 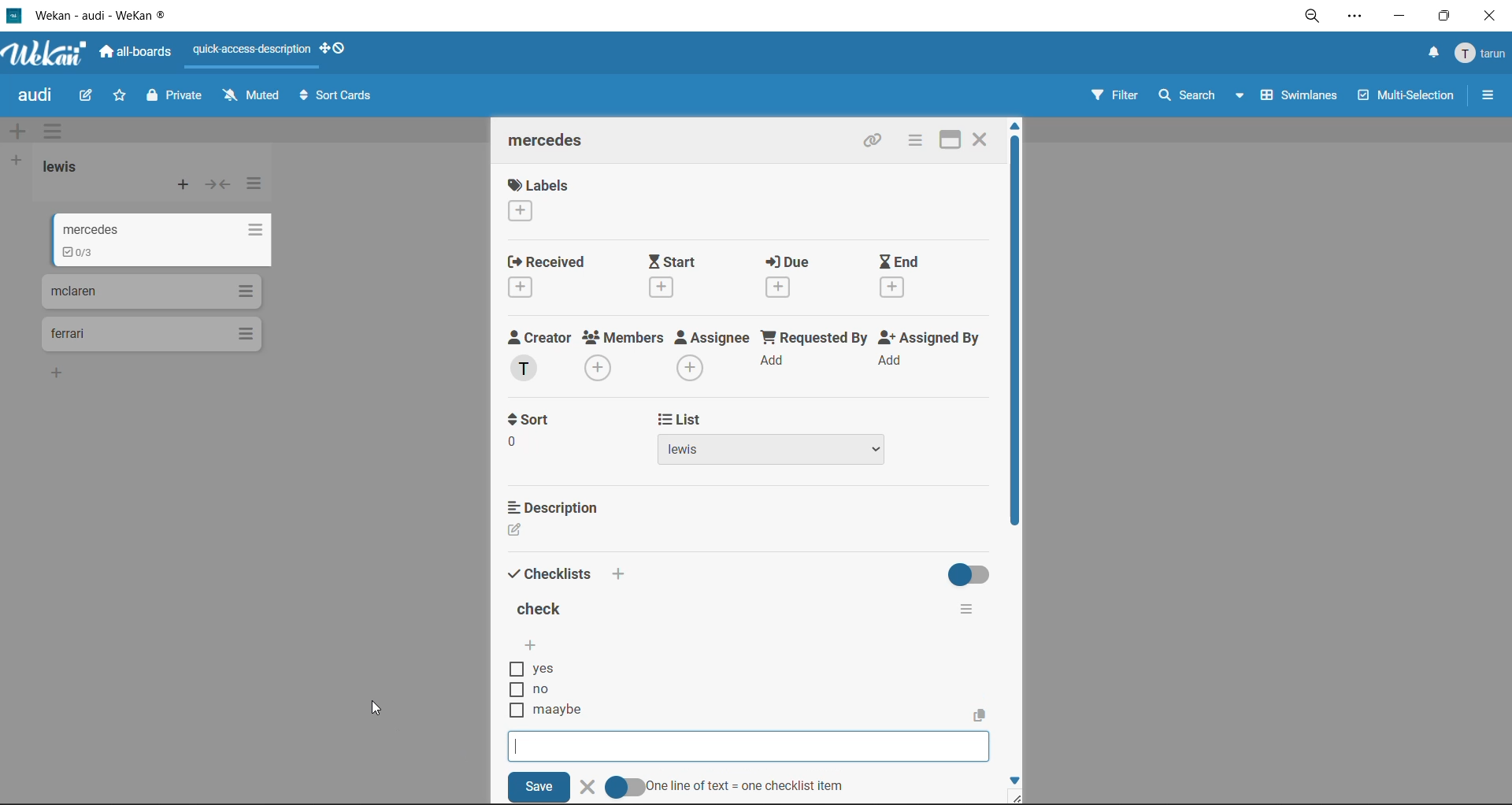 I want to click on quick access description, so click(x=254, y=54).